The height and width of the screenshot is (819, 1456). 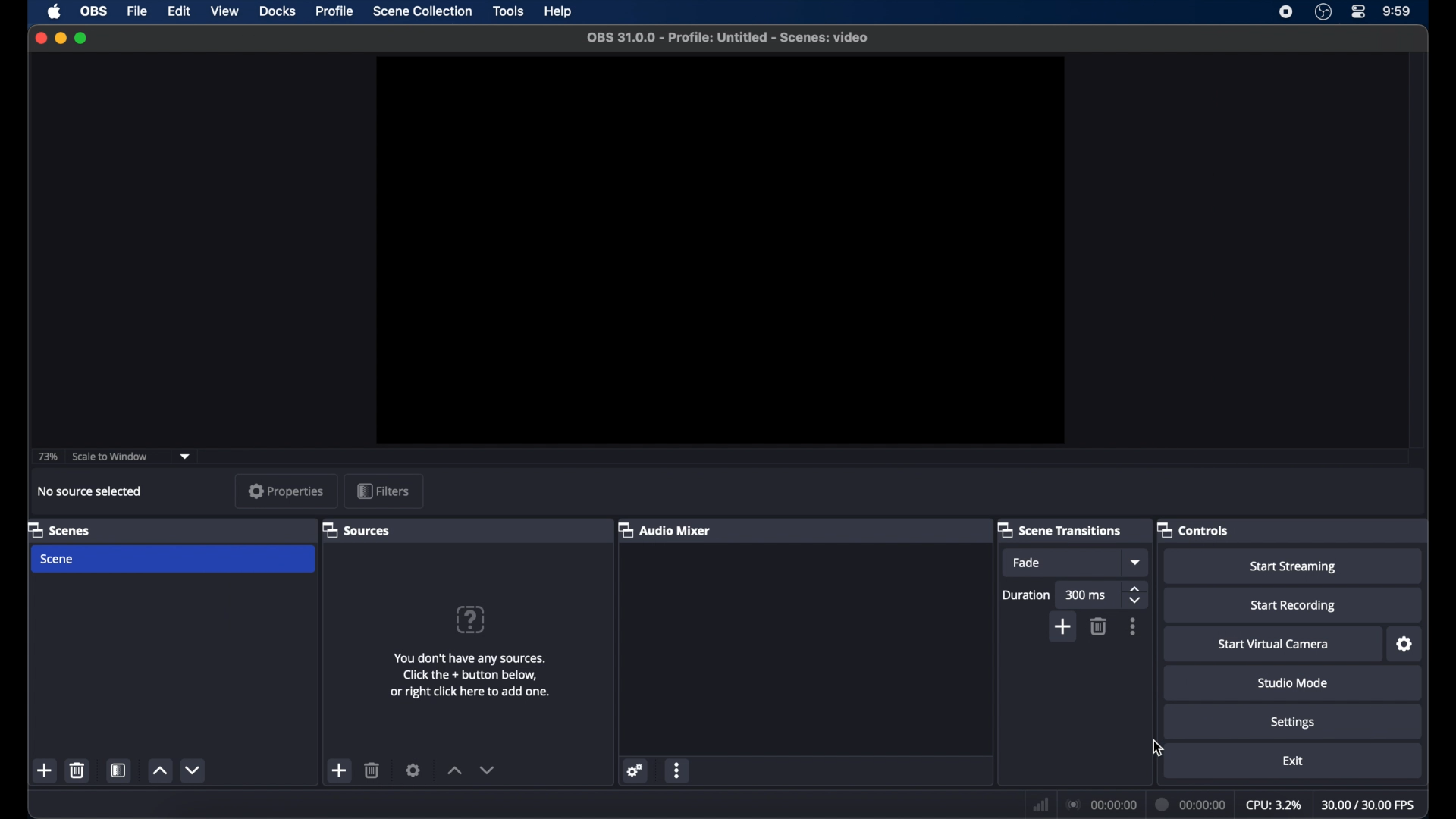 What do you see at coordinates (487, 770) in the screenshot?
I see `decrement` at bounding box center [487, 770].